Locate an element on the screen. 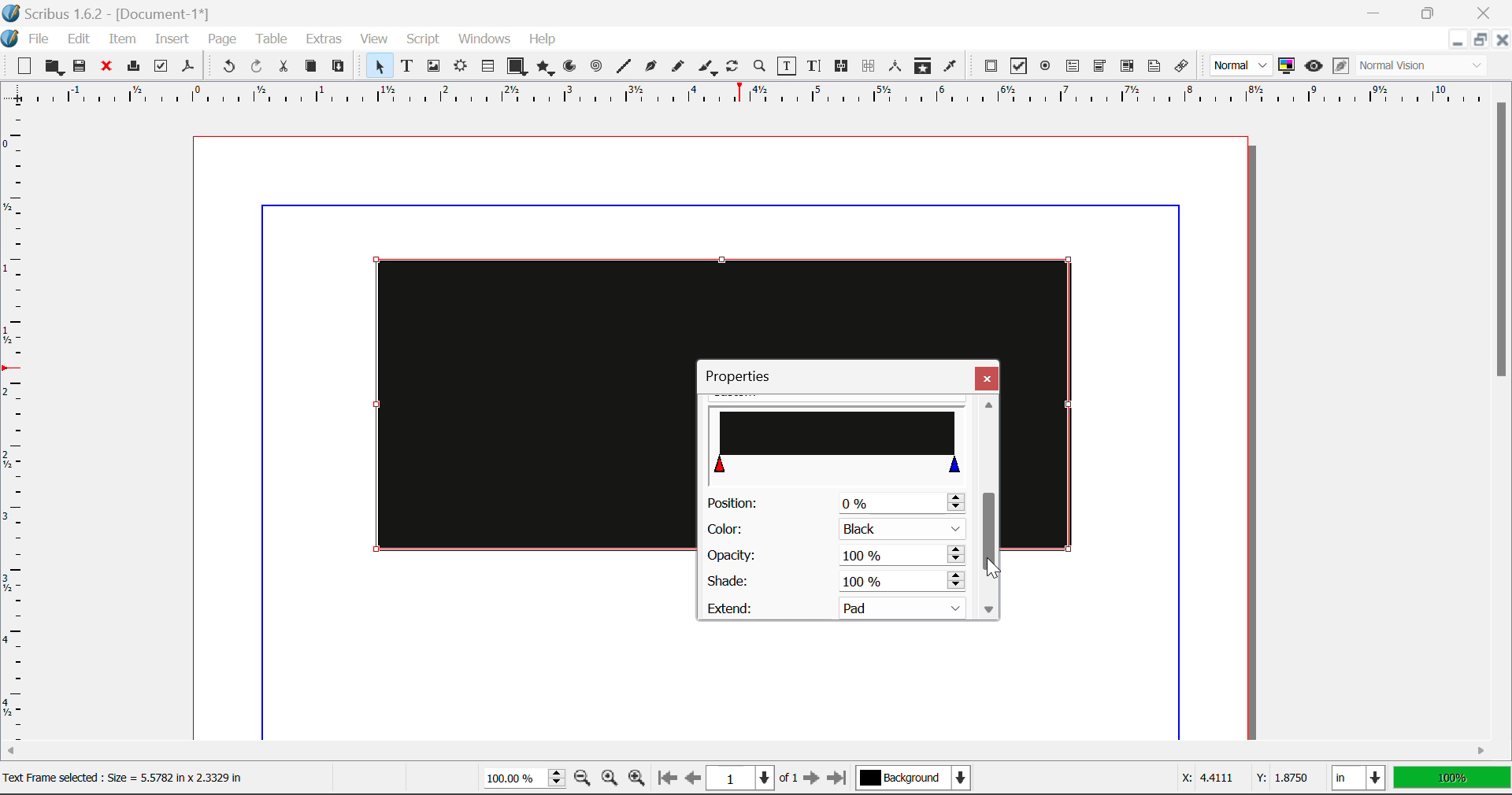 The image size is (1512, 795). Open is located at coordinates (56, 68).